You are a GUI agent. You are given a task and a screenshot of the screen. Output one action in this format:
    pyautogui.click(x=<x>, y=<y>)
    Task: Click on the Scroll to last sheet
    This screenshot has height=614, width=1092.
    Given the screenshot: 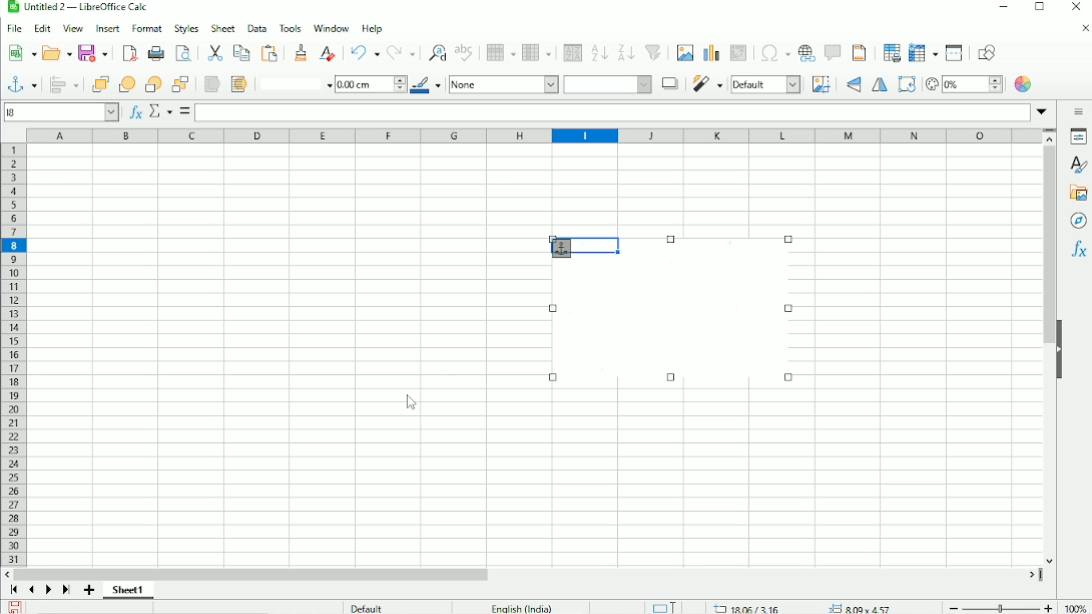 What is the action you would take?
    pyautogui.click(x=67, y=590)
    